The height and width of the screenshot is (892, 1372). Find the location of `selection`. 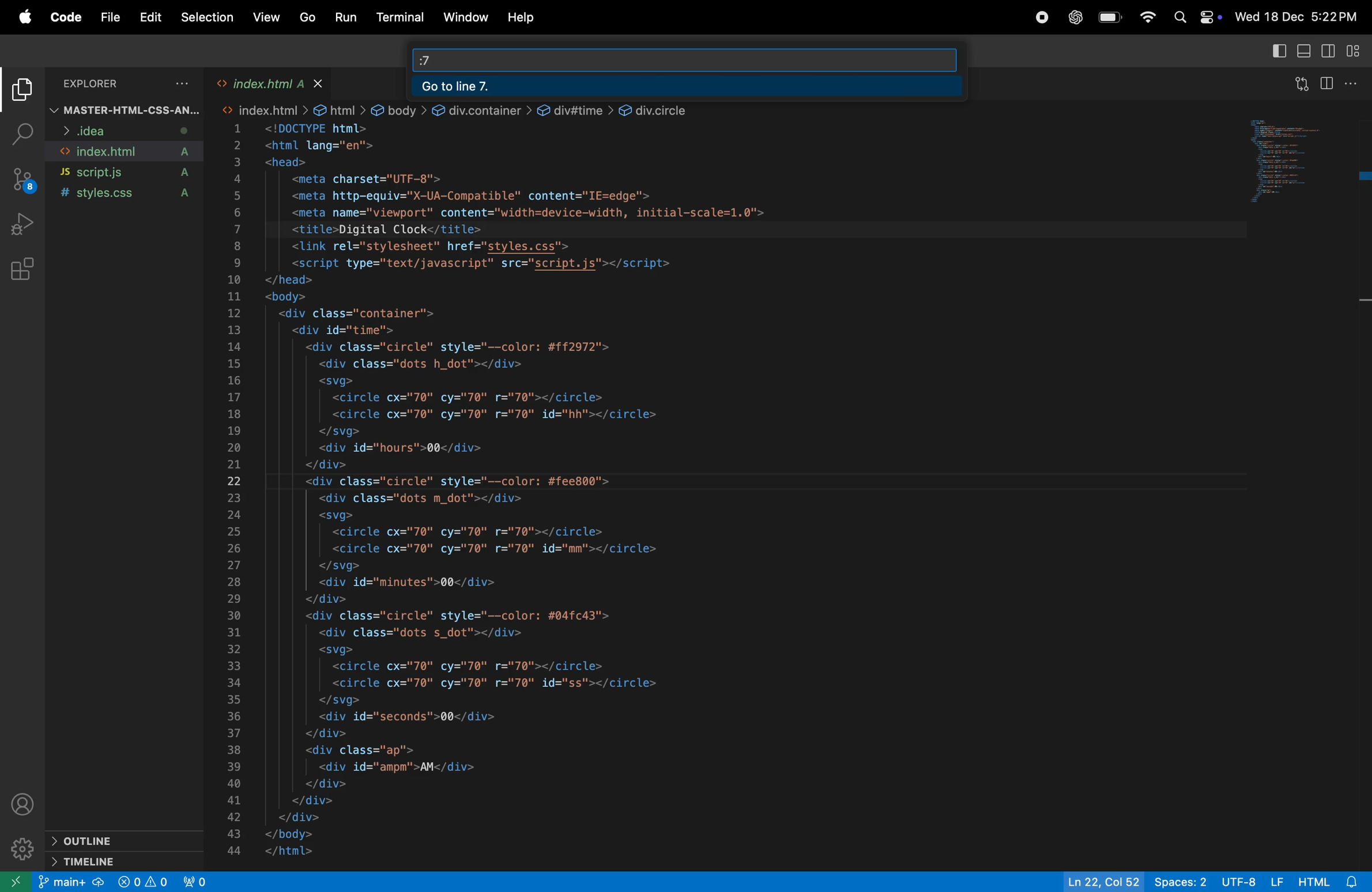

selection is located at coordinates (207, 17).